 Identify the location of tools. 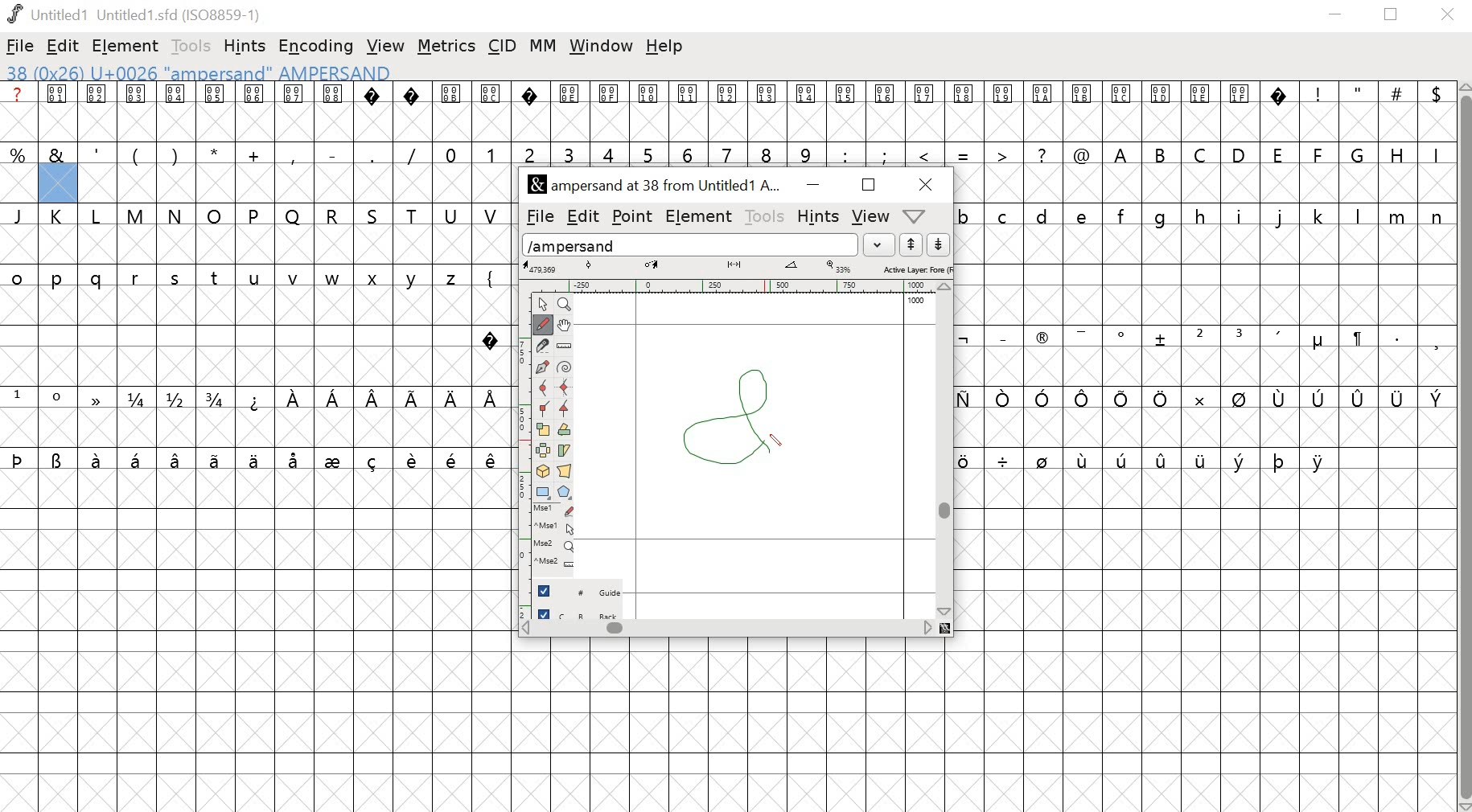
(187, 45).